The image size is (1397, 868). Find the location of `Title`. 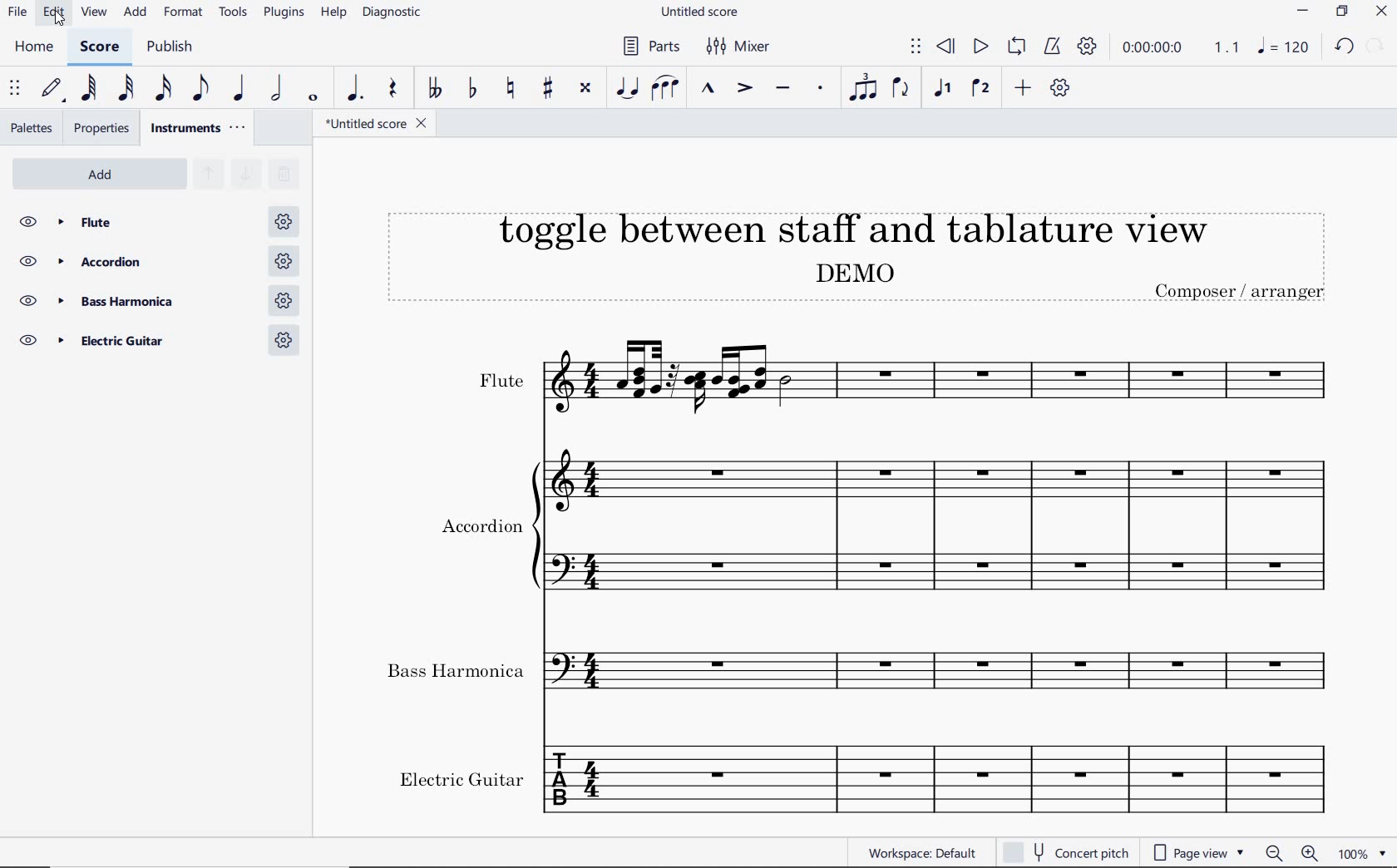

Title is located at coordinates (865, 248).